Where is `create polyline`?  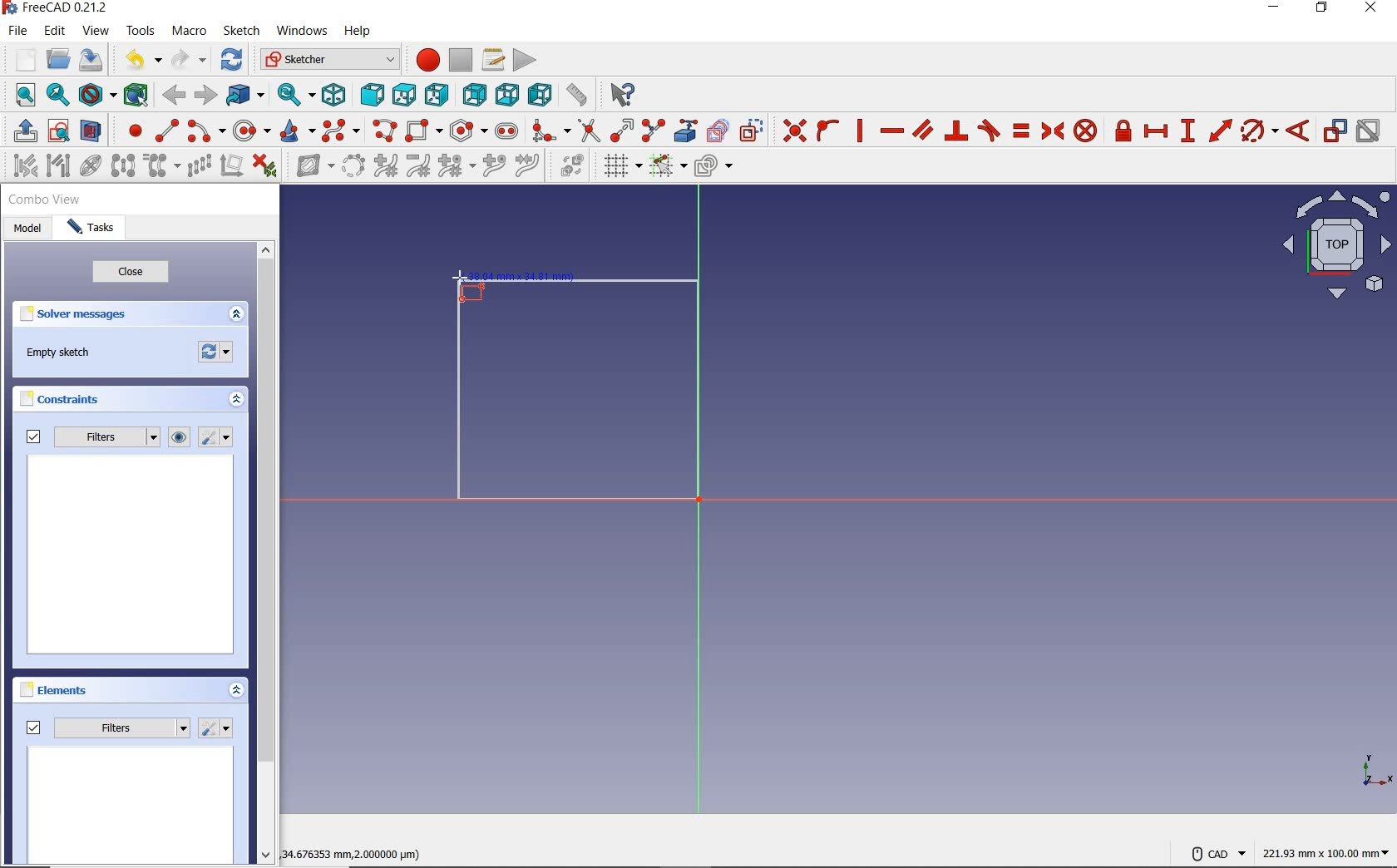 create polyline is located at coordinates (385, 132).